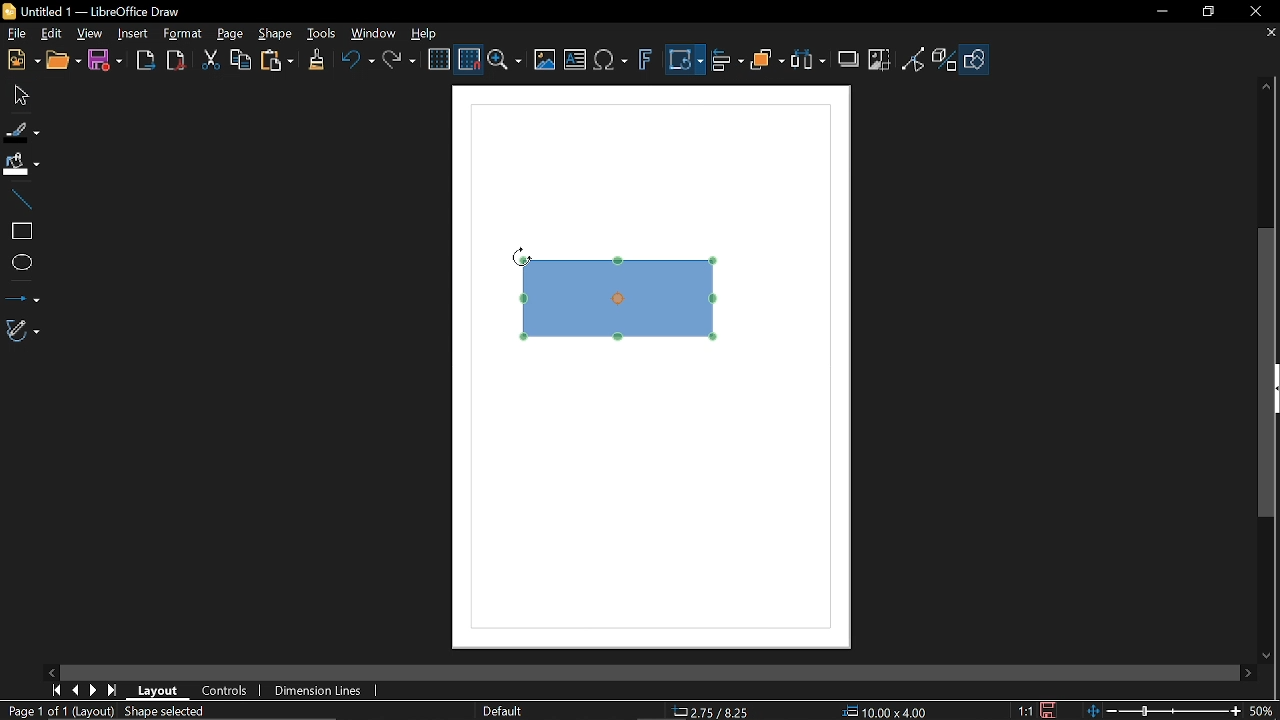  What do you see at coordinates (181, 34) in the screenshot?
I see `Format` at bounding box center [181, 34].